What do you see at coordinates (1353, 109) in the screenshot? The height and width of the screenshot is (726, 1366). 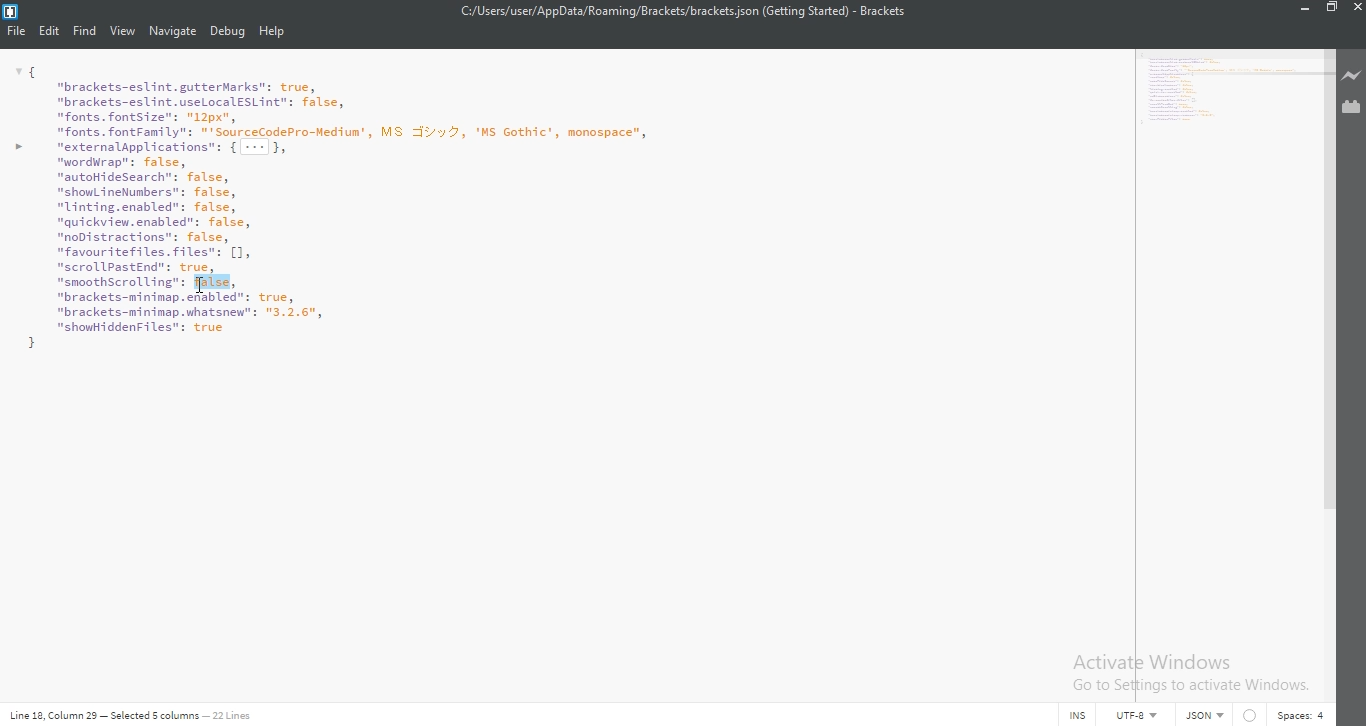 I see `Extension Manager` at bounding box center [1353, 109].